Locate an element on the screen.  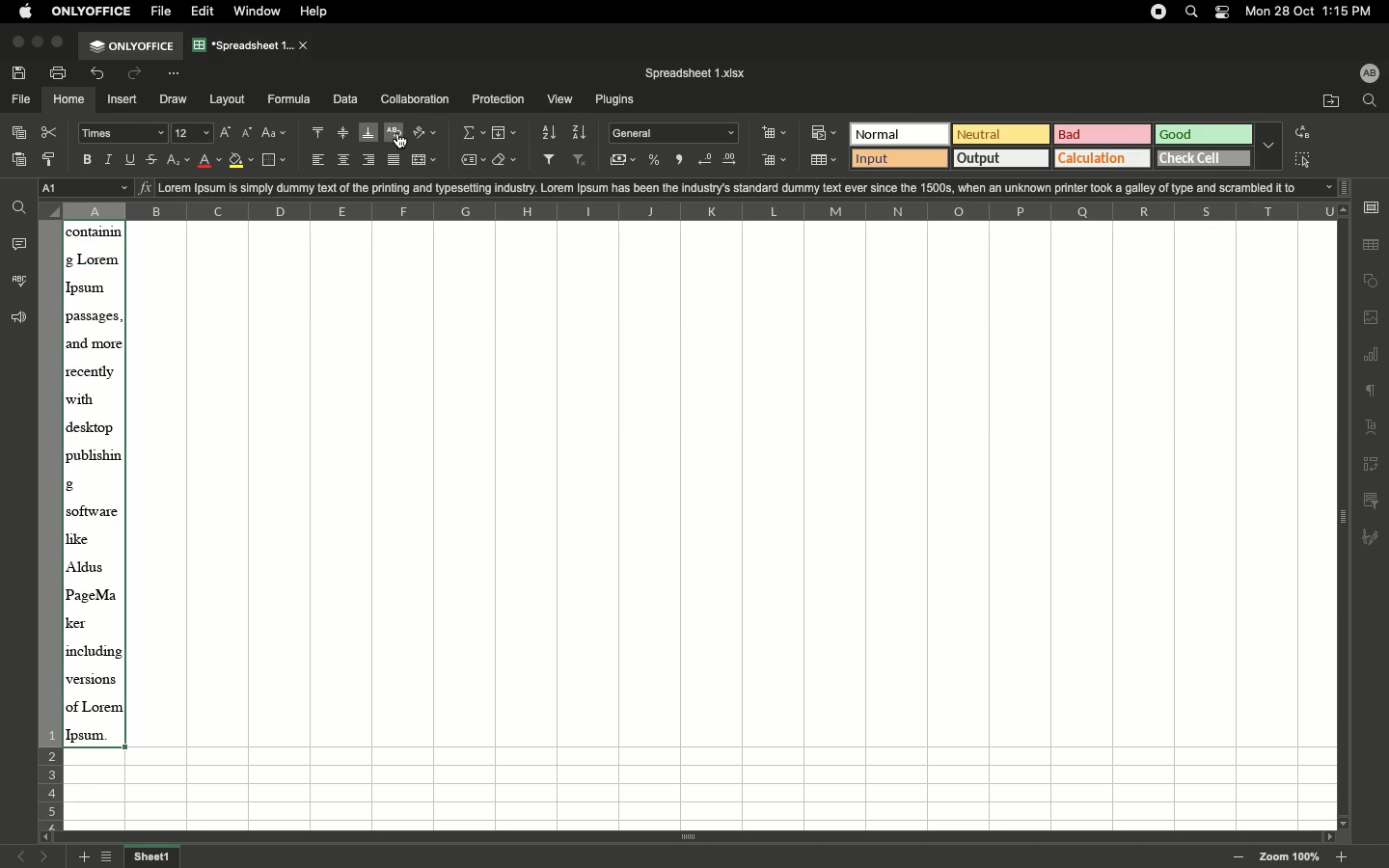
Wrapped text is located at coordinates (95, 485).